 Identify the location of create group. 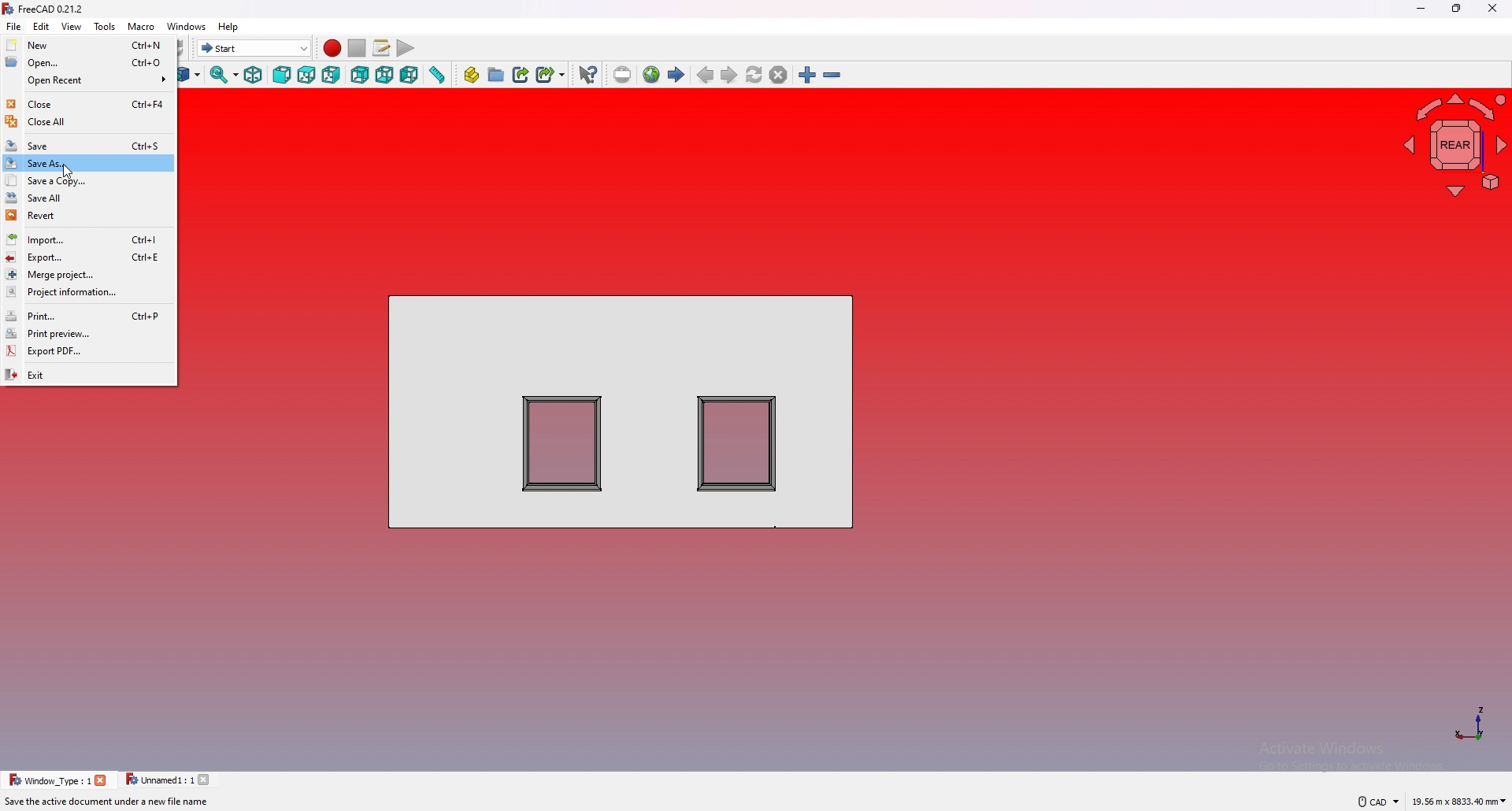
(496, 75).